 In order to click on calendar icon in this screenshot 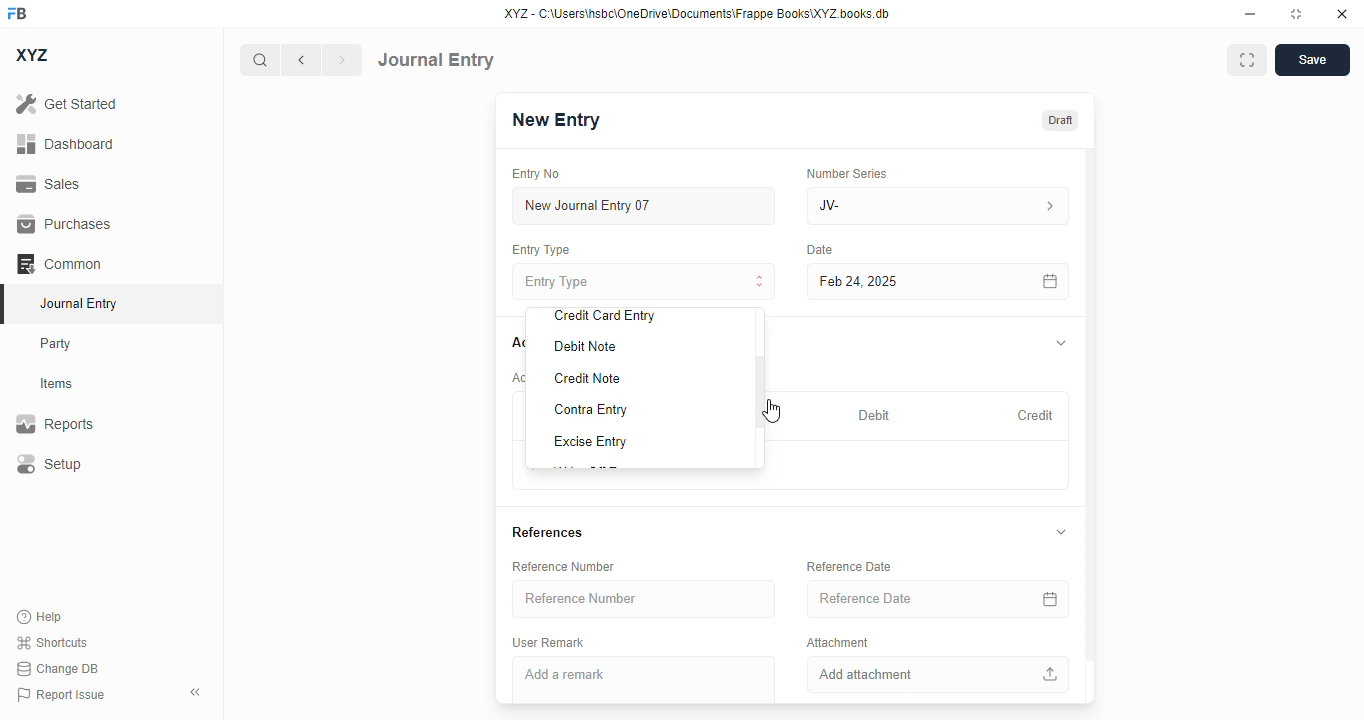, I will do `click(1049, 599)`.